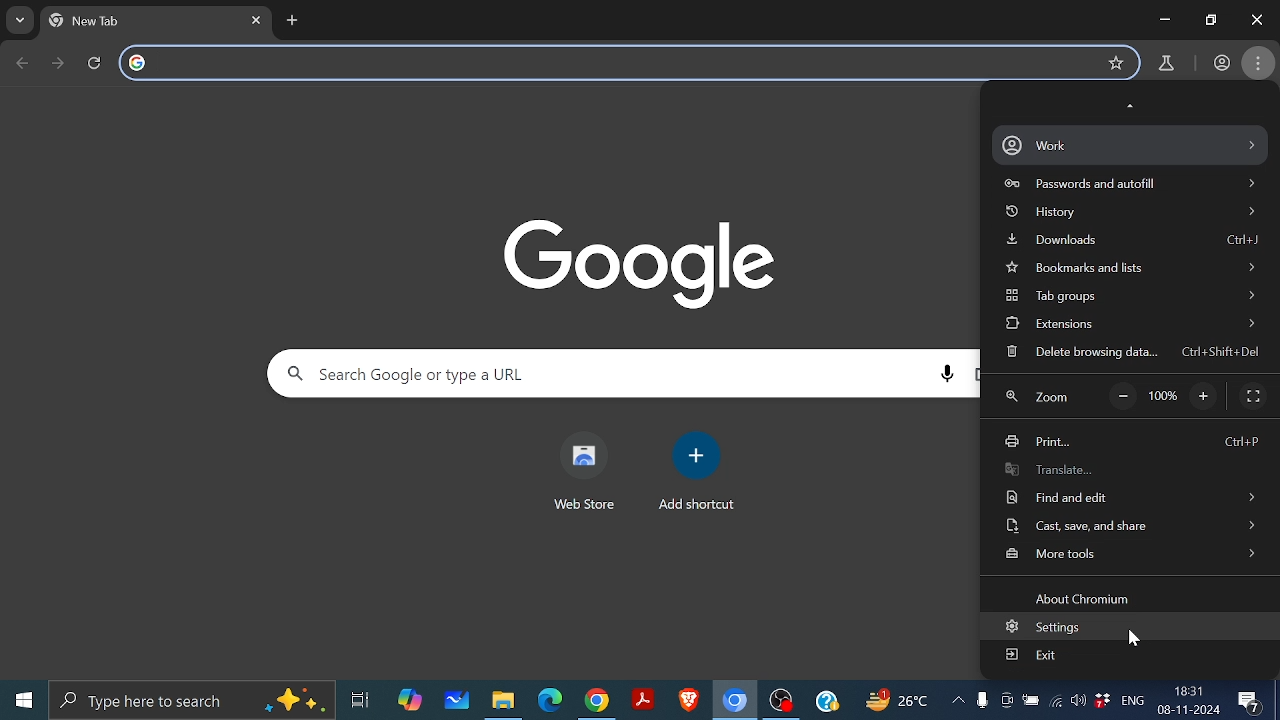 The width and height of the screenshot is (1280, 720). What do you see at coordinates (1133, 703) in the screenshot?
I see `language` at bounding box center [1133, 703].